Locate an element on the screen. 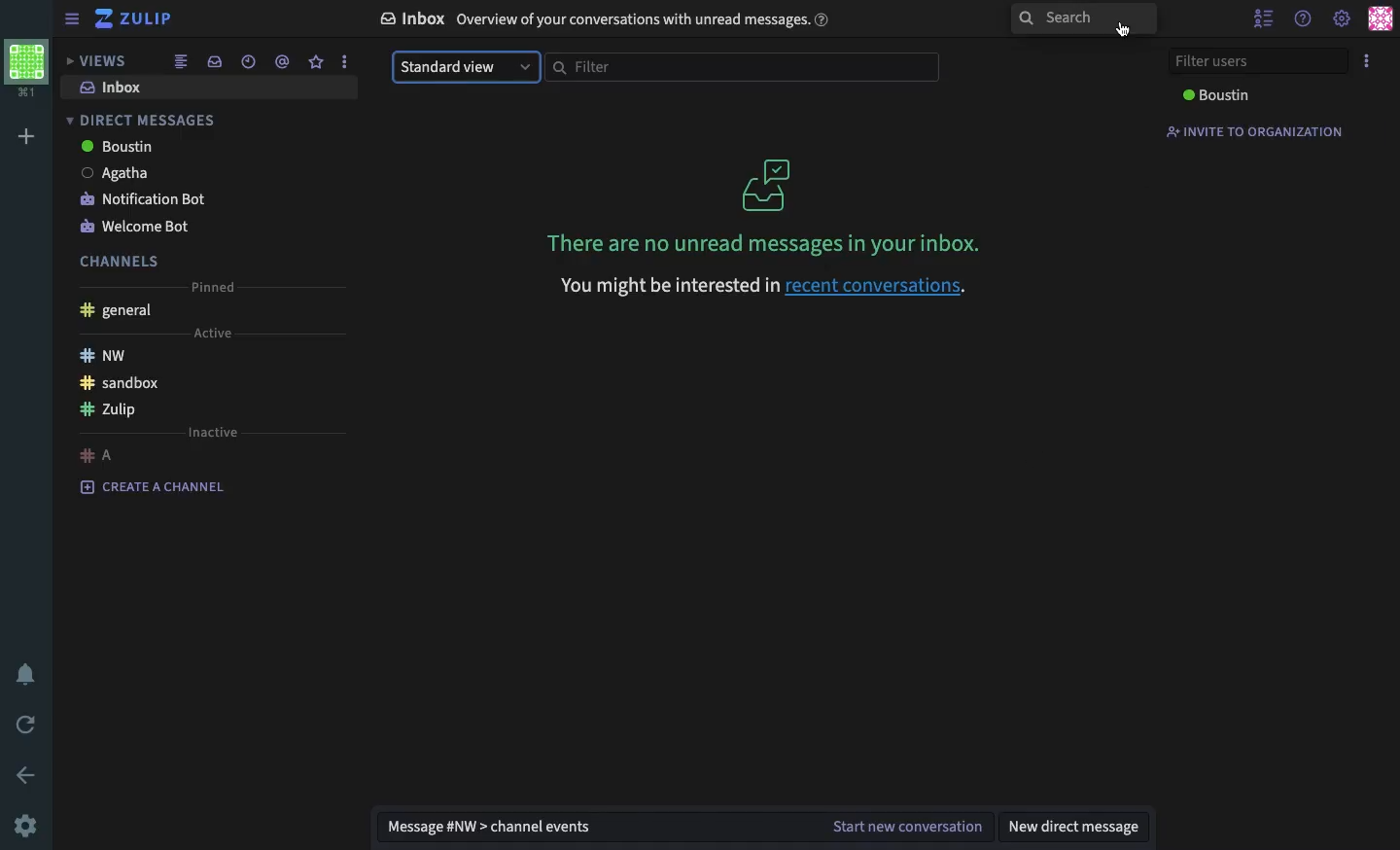 The width and height of the screenshot is (1400, 850). You might be interested in recent conversations. is located at coordinates (770, 290).